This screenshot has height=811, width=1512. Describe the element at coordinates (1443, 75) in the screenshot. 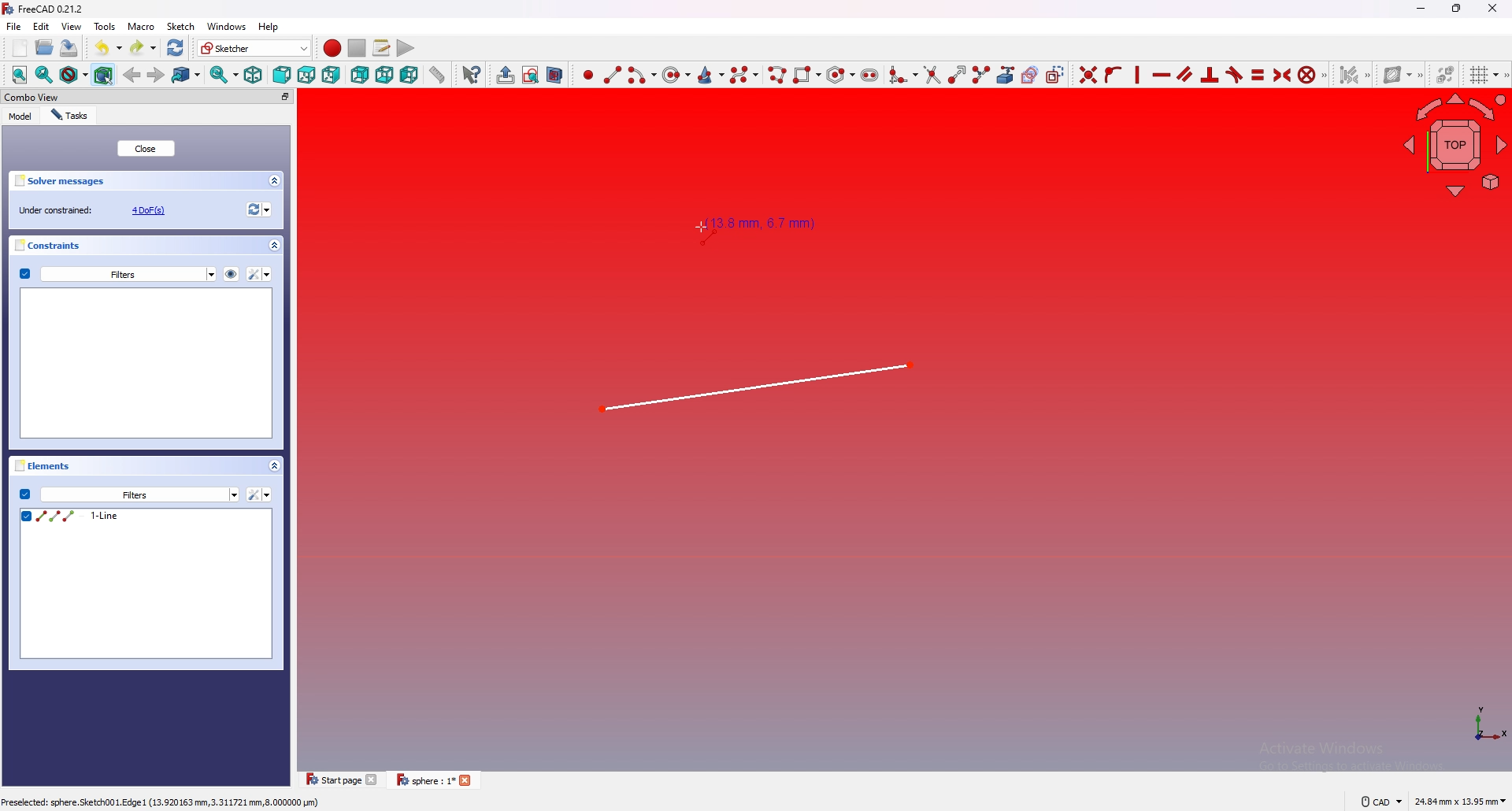

I see `Switch virtual space` at that location.